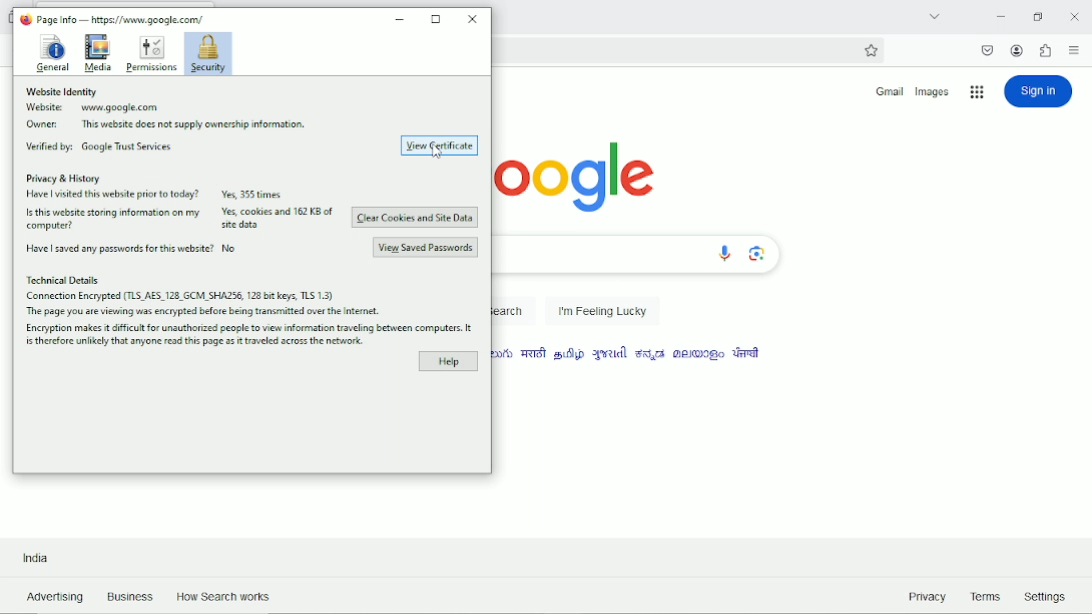 This screenshot has height=614, width=1092. I want to click on Gmail, so click(889, 92).